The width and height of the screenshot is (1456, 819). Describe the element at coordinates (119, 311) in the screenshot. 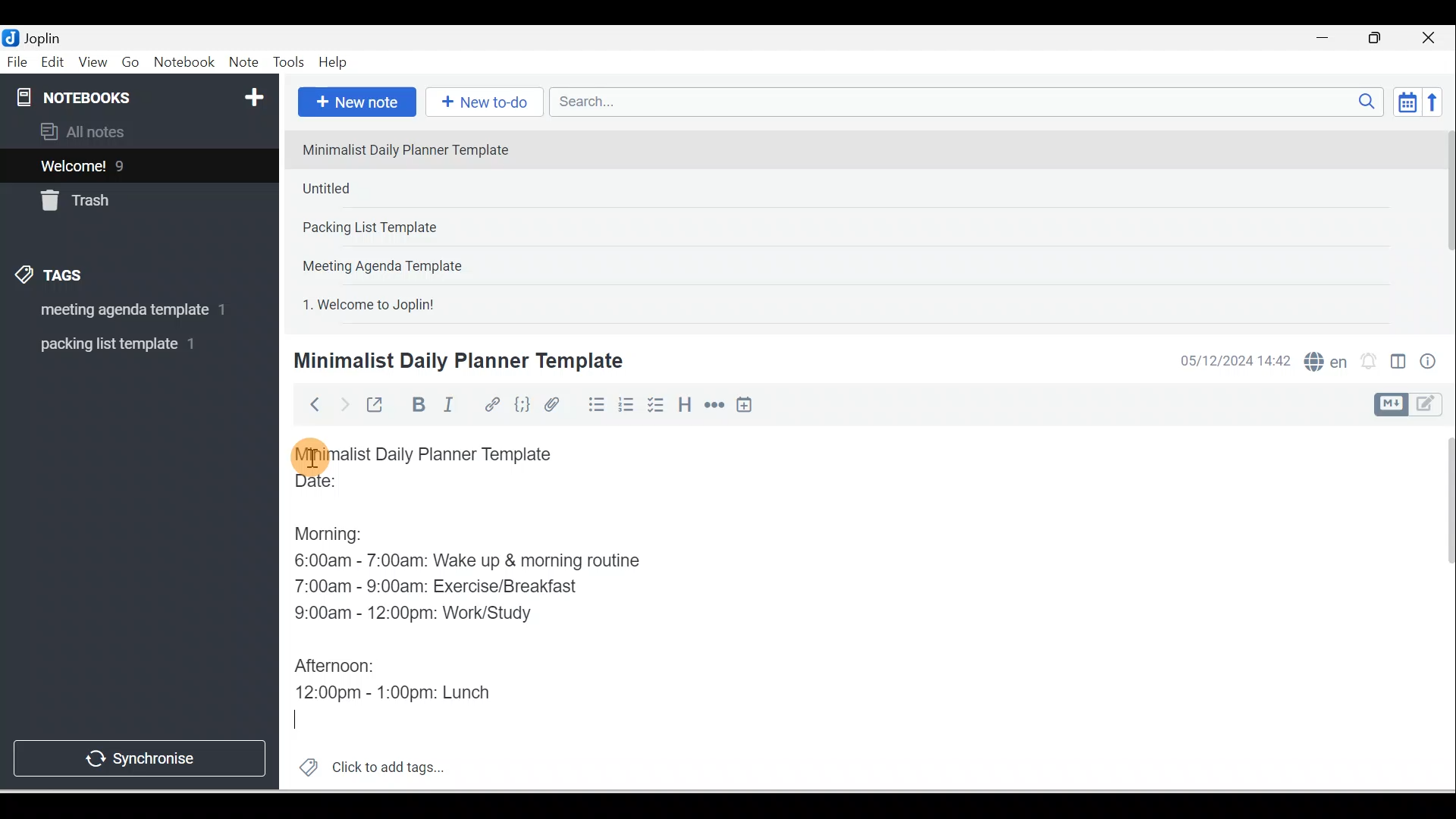

I see `Tag 1` at that location.